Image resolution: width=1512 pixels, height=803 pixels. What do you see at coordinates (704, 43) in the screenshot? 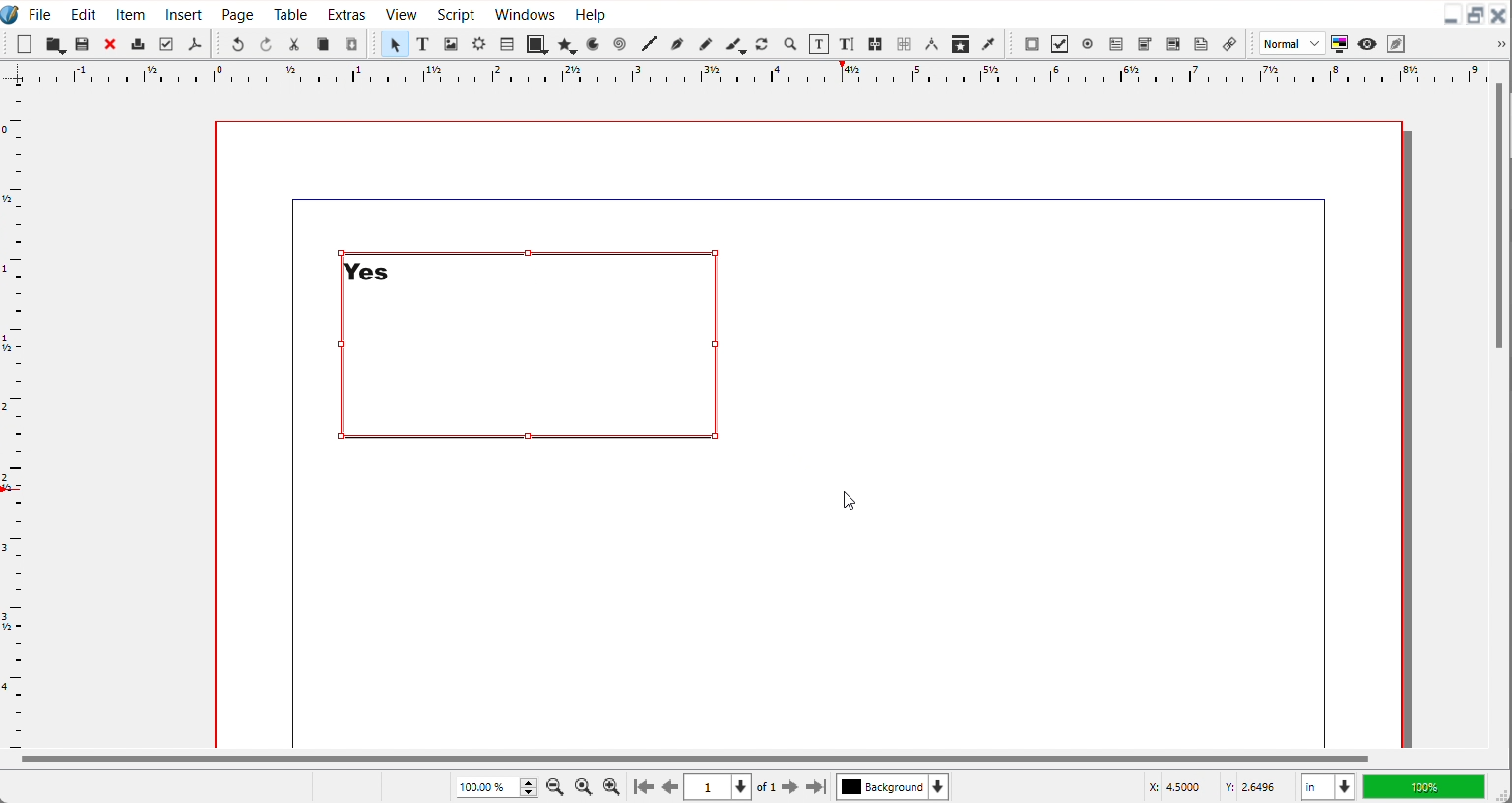
I see `Freehand line` at bounding box center [704, 43].